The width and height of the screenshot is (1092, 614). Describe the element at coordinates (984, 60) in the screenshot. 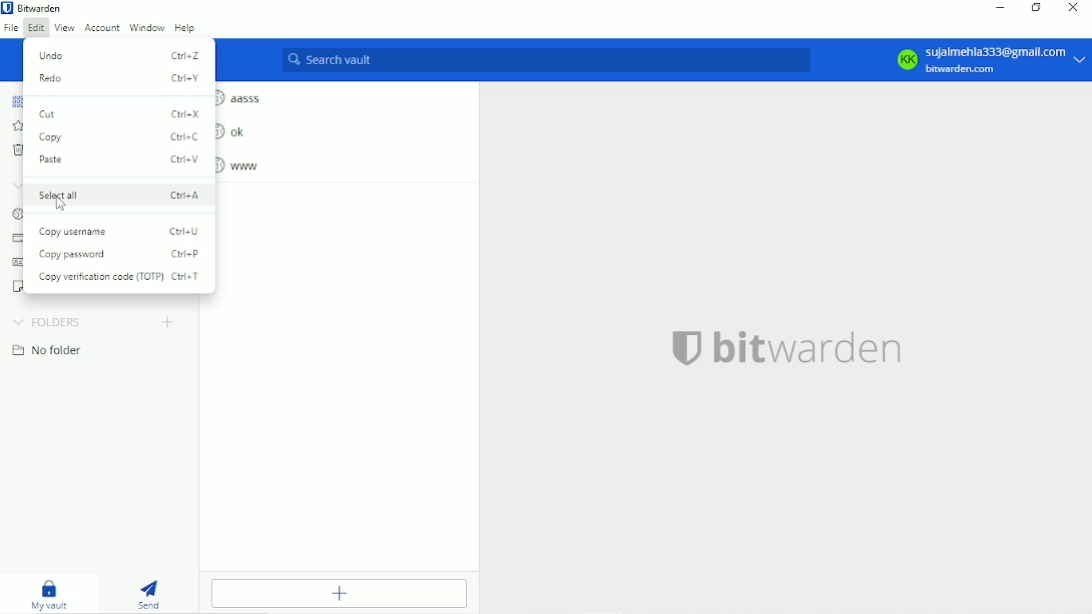

I see `Account` at that location.